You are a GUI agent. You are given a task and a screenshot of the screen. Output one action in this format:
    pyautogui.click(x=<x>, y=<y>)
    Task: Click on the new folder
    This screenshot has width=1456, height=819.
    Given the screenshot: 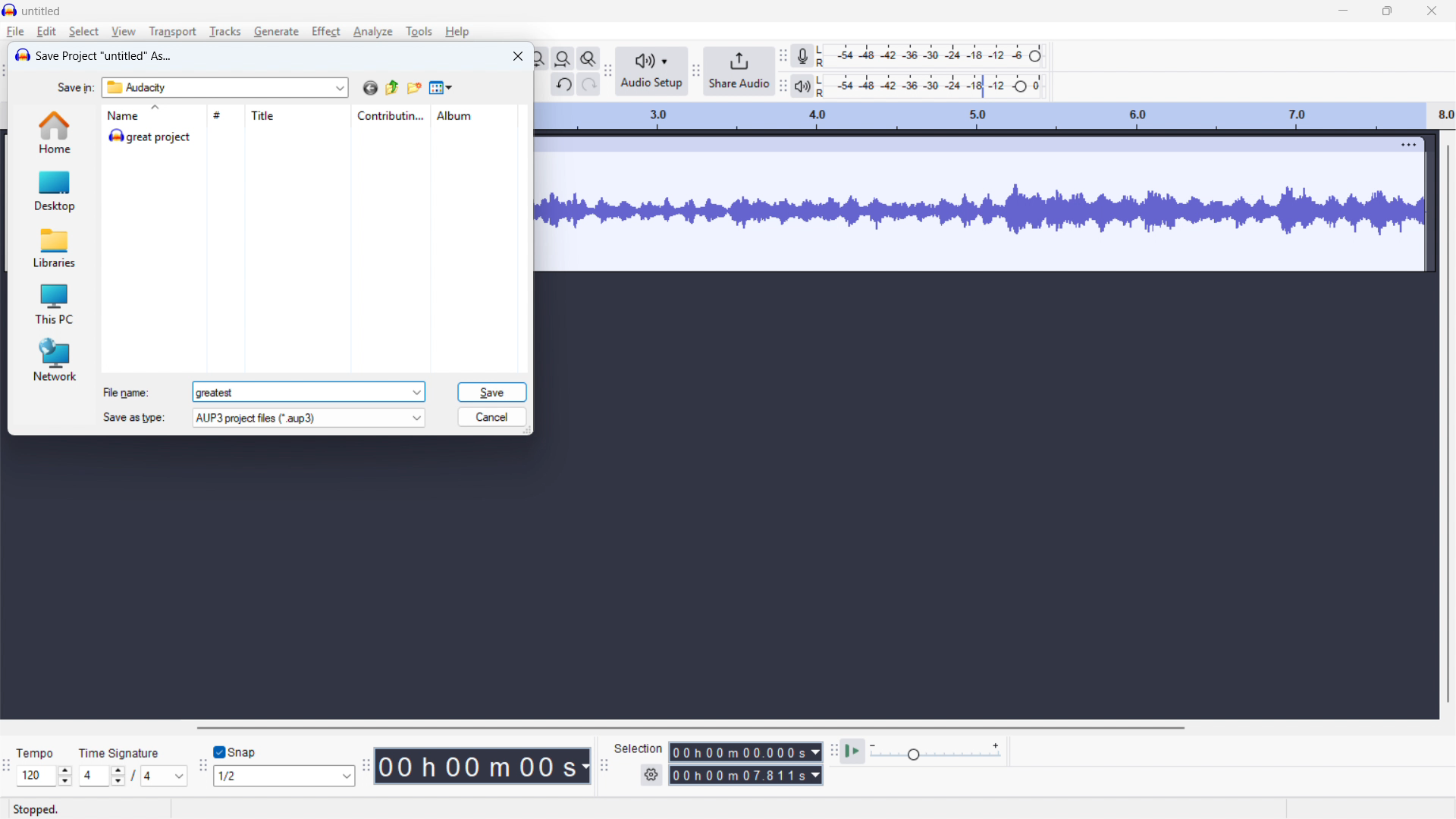 What is the action you would take?
    pyautogui.click(x=415, y=88)
    